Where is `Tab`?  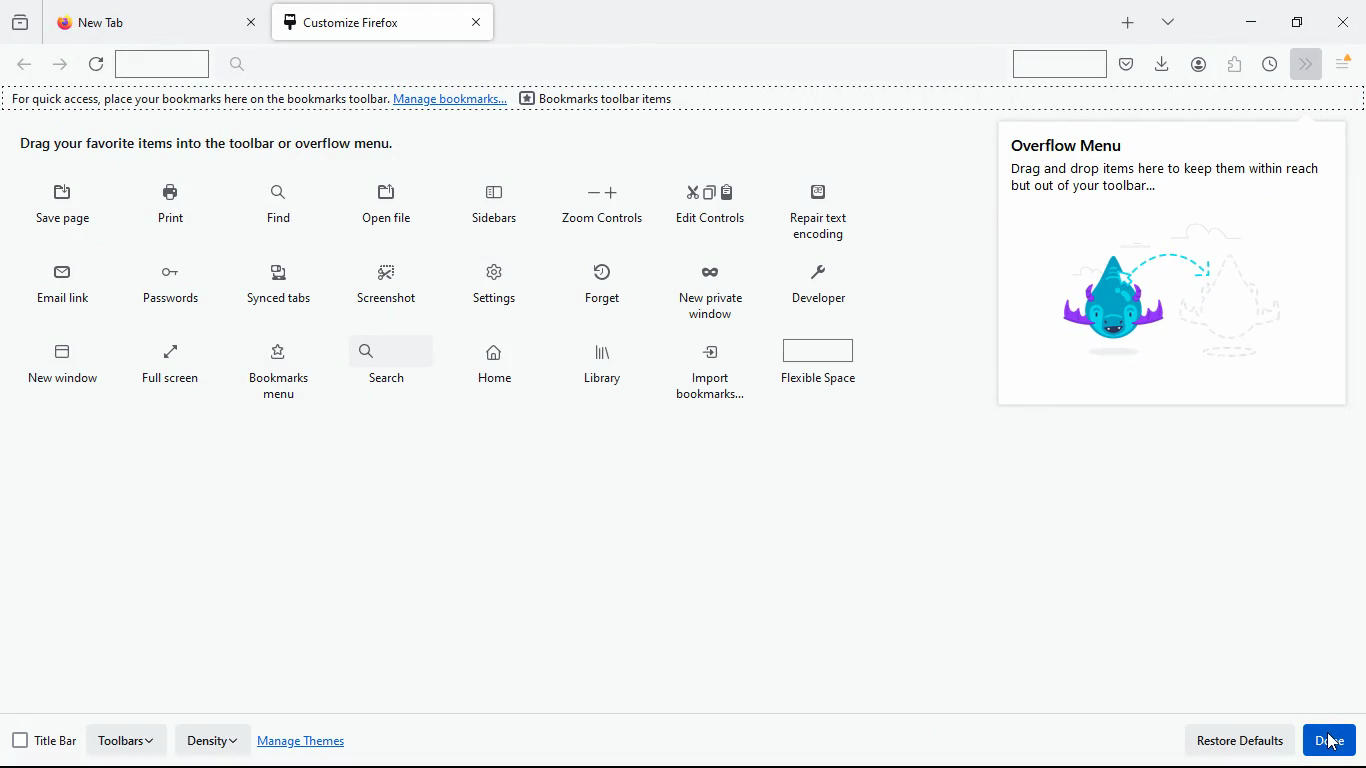
Tab is located at coordinates (385, 22).